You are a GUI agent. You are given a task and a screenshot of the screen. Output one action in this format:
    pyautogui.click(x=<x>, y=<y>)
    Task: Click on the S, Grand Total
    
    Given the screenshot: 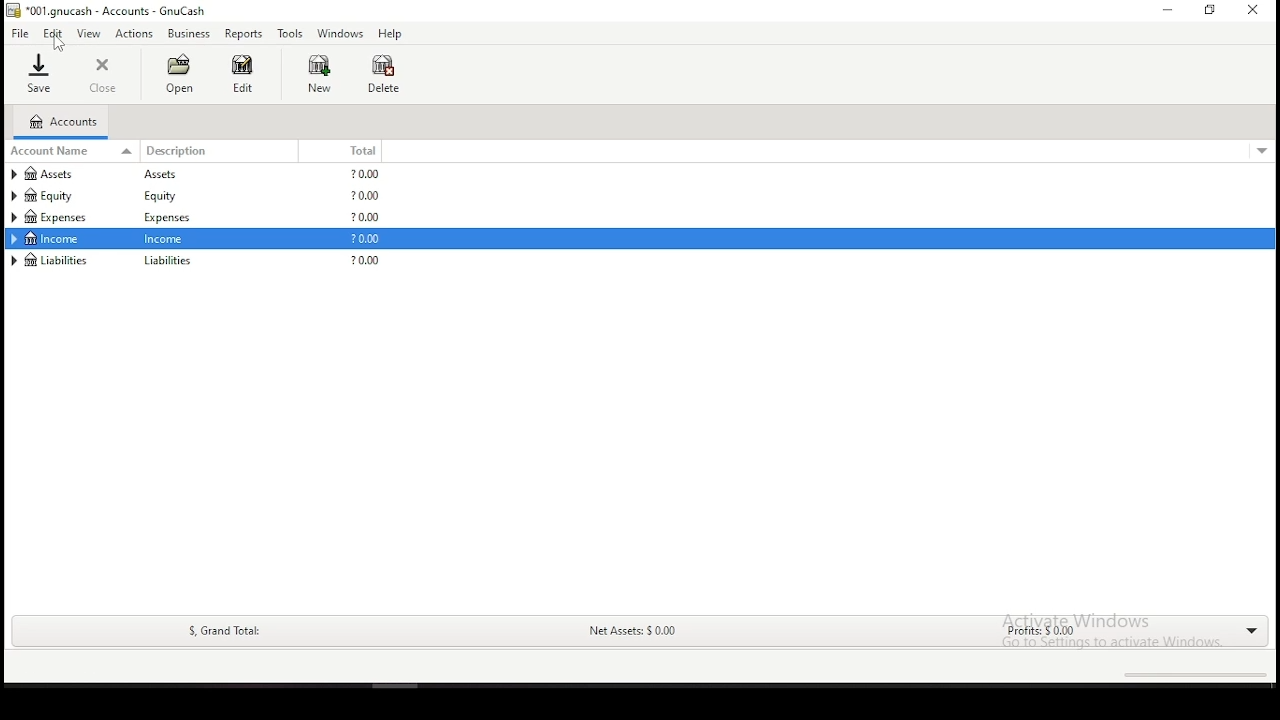 What is the action you would take?
    pyautogui.click(x=222, y=631)
    